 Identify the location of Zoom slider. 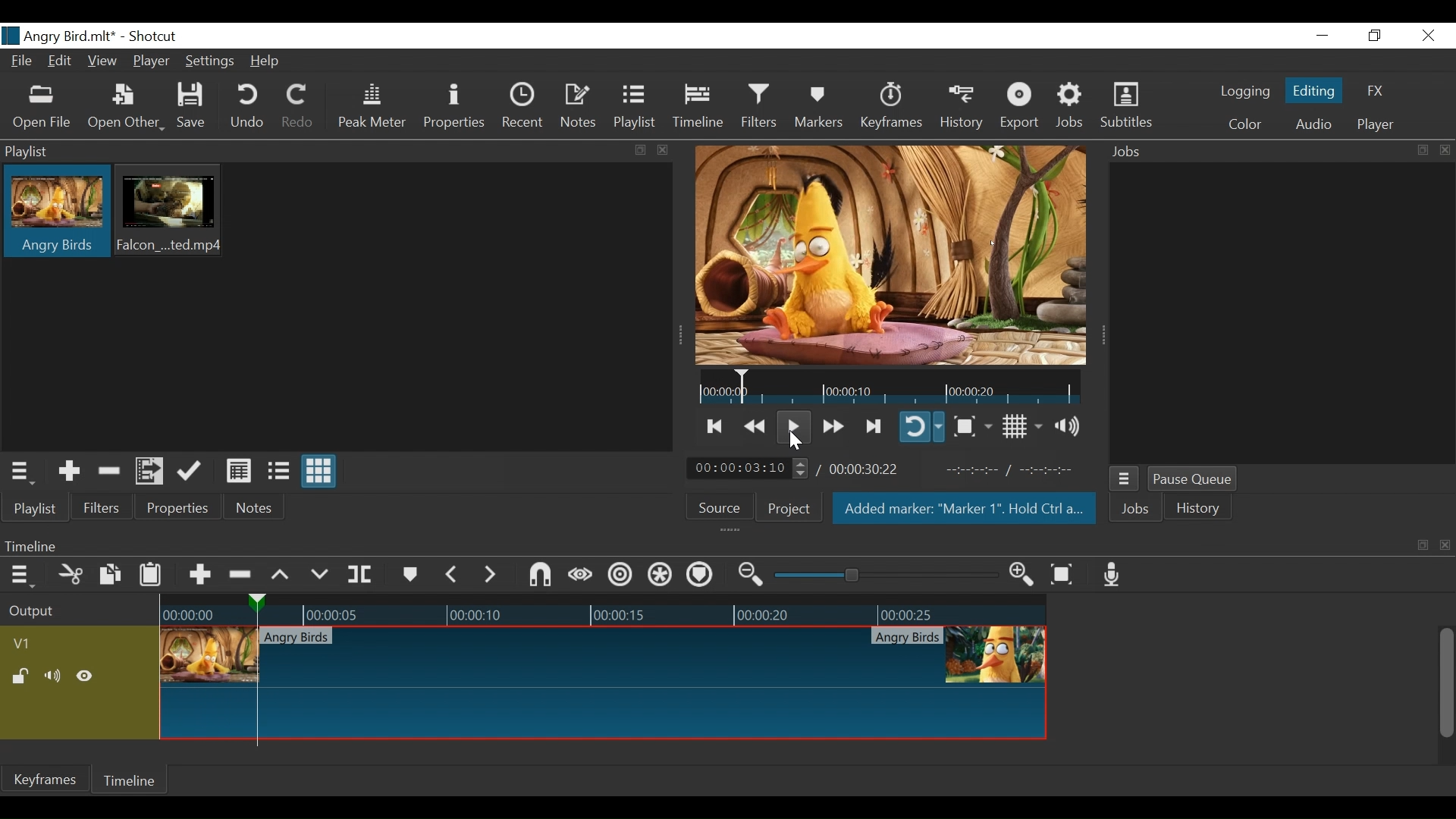
(883, 577).